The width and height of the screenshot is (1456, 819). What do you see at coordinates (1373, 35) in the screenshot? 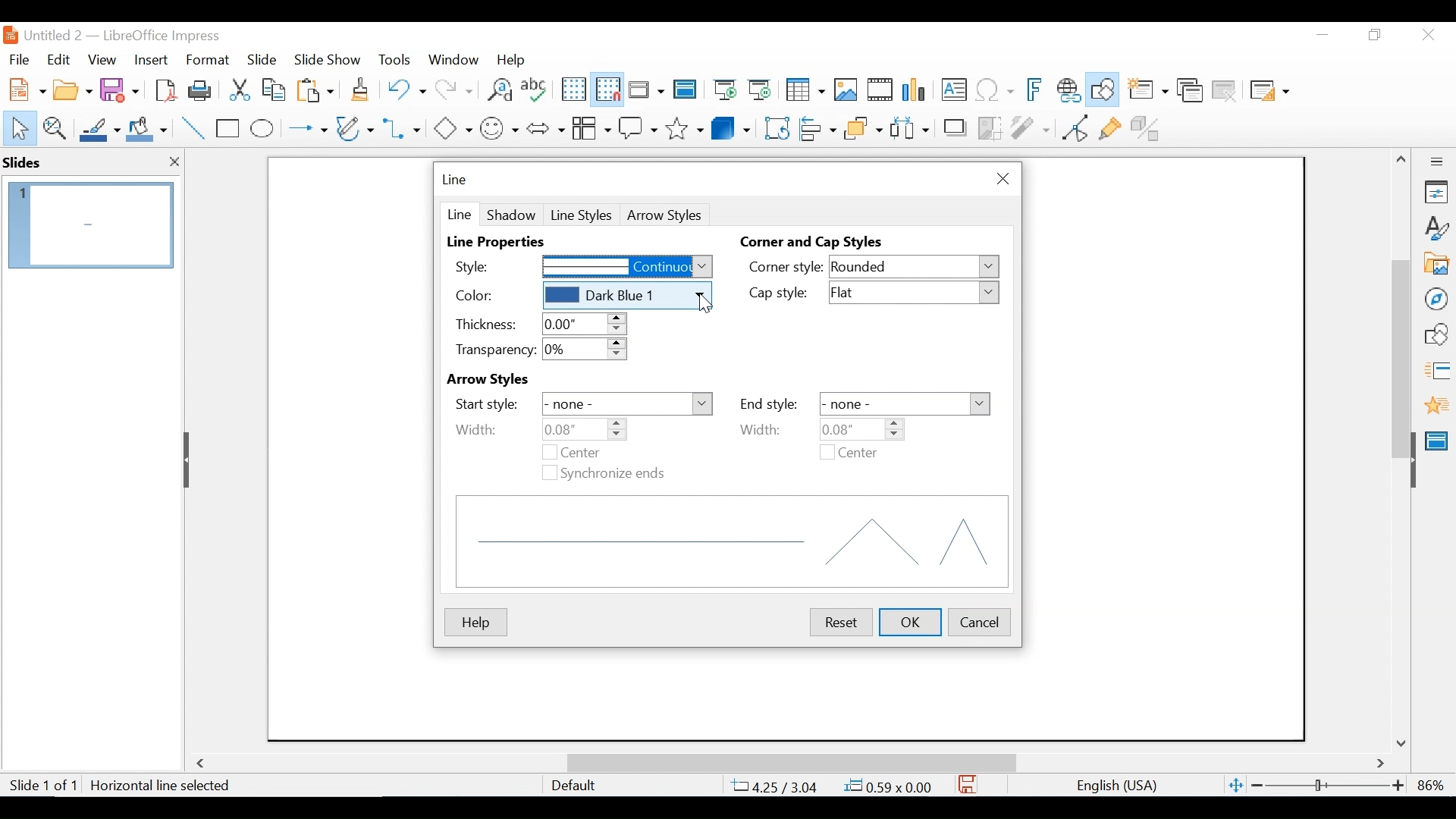
I see `Restore` at bounding box center [1373, 35].